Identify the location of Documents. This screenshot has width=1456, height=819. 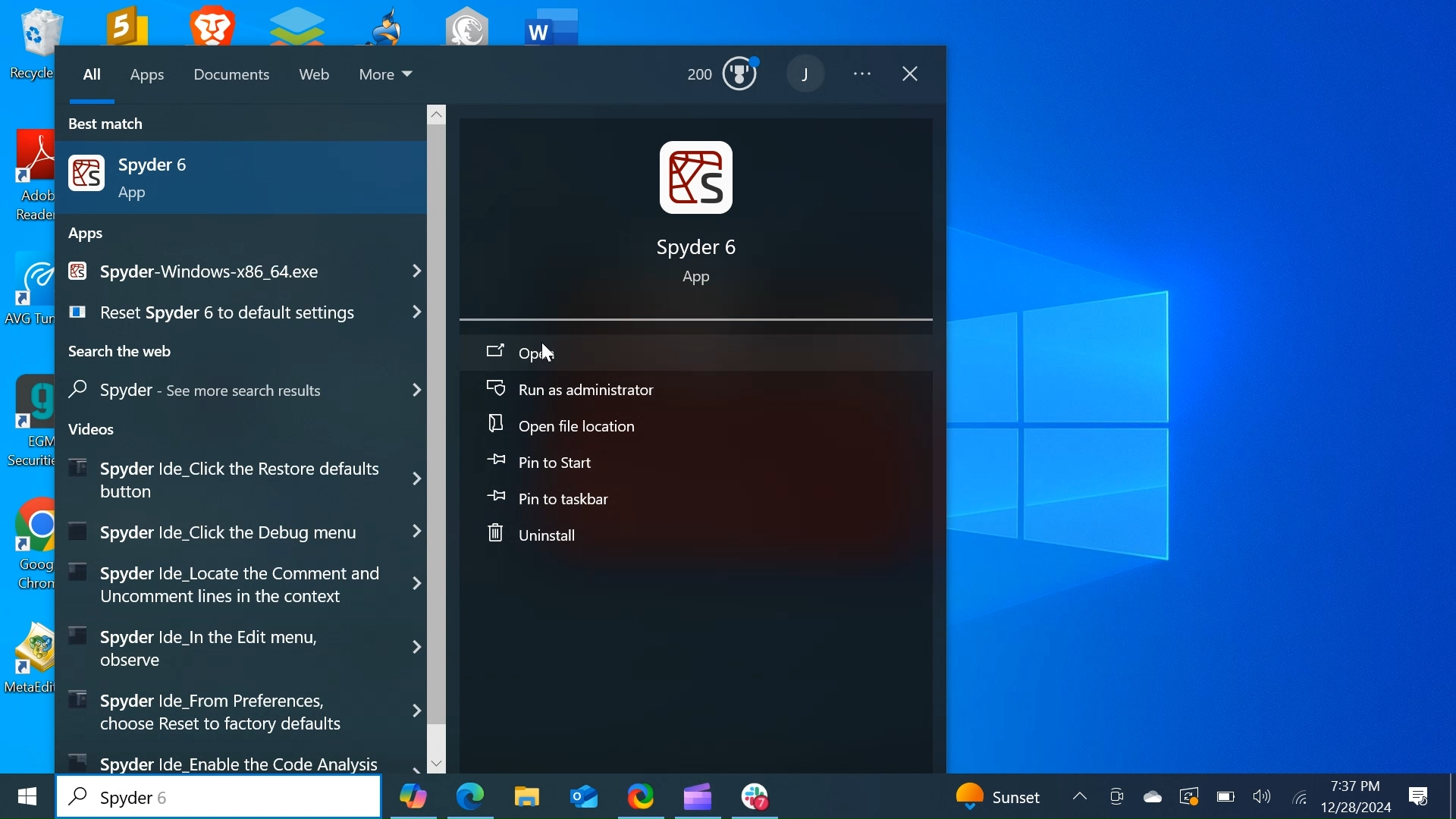
(234, 76).